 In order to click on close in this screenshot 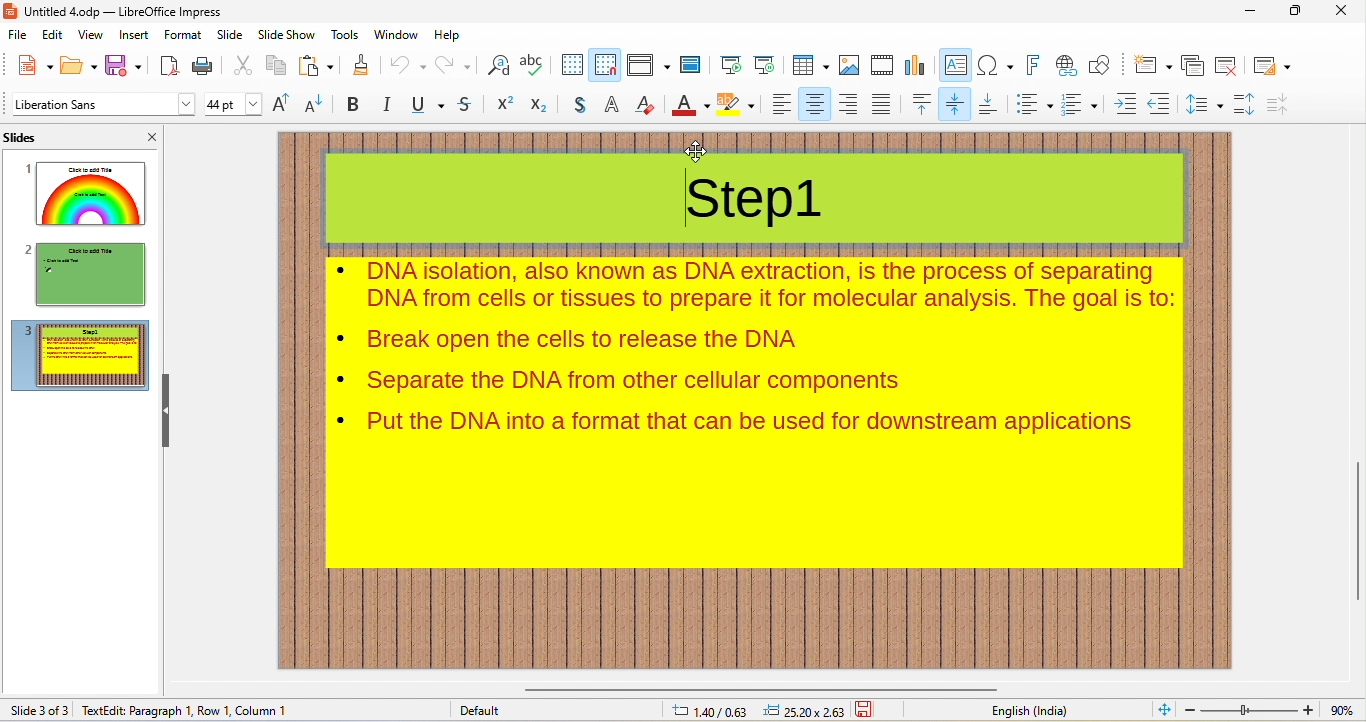, I will do `click(1344, 11)`.